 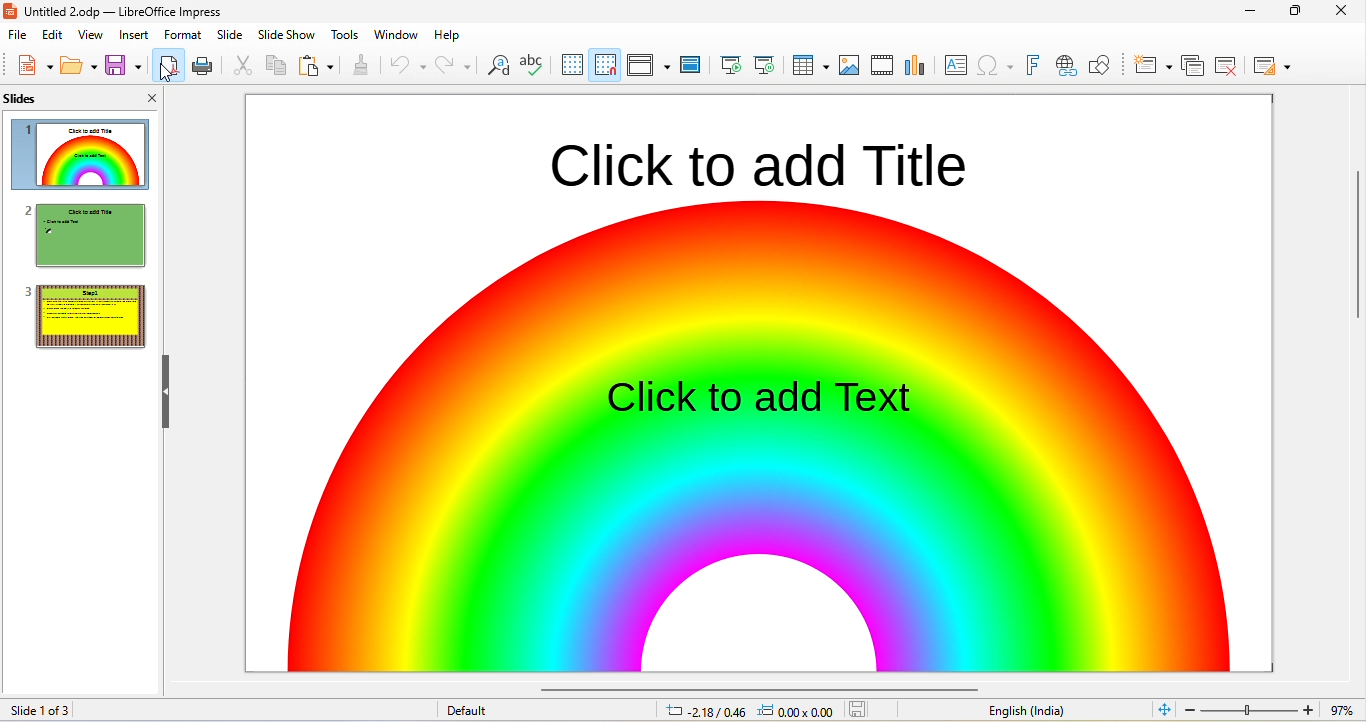 I want to click on click to add text, so click(x=762, y=396).